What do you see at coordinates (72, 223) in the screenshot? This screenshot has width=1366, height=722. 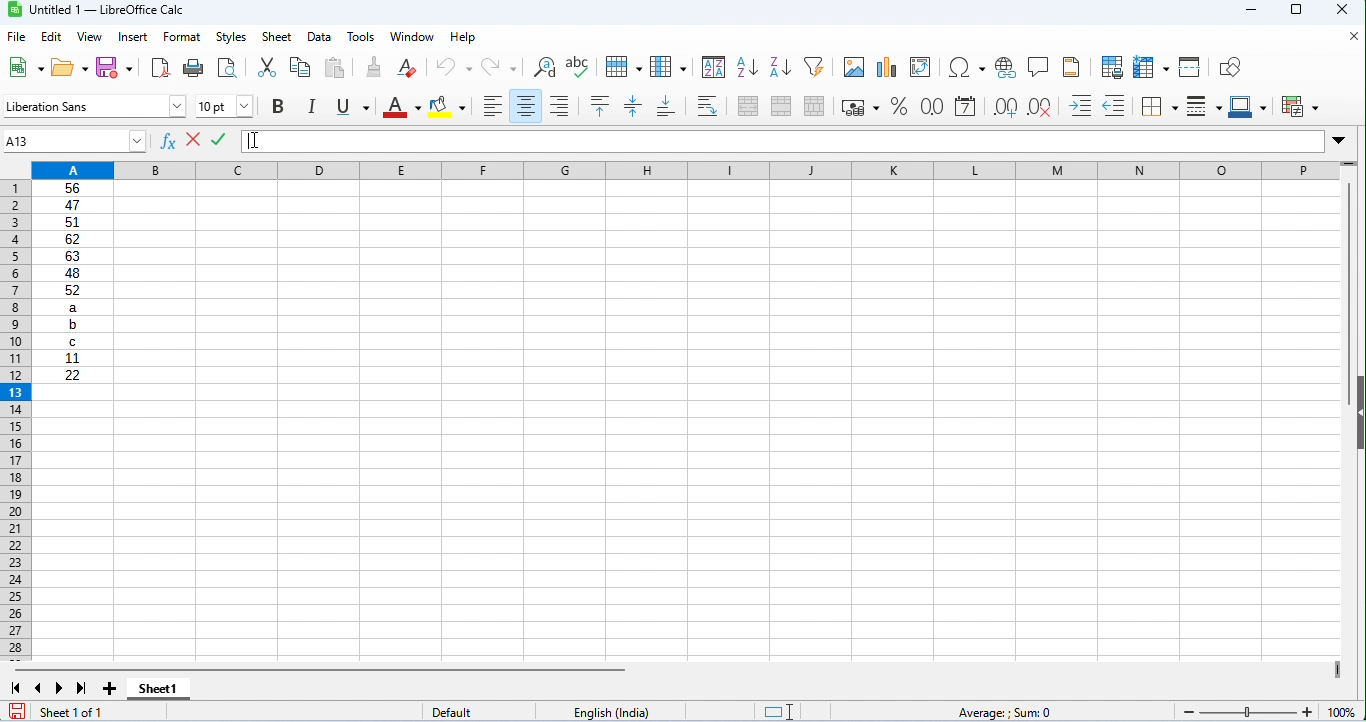 I see `51` at bounding box center [72, 223].